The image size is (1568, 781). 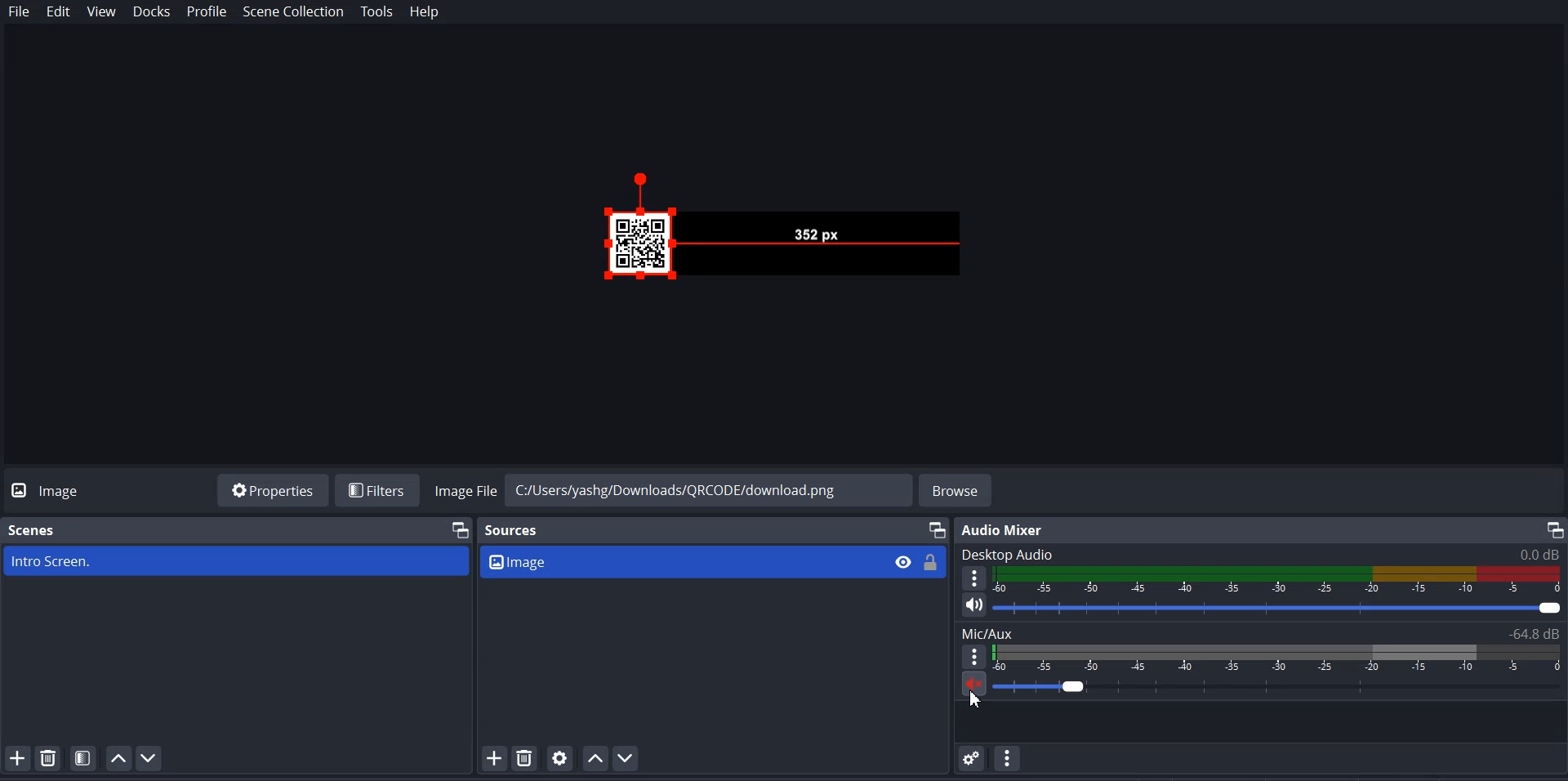 What do you see at coordinates (679, 560) in the screenshot?
I see `Source file` at bounding box center [679, 560].